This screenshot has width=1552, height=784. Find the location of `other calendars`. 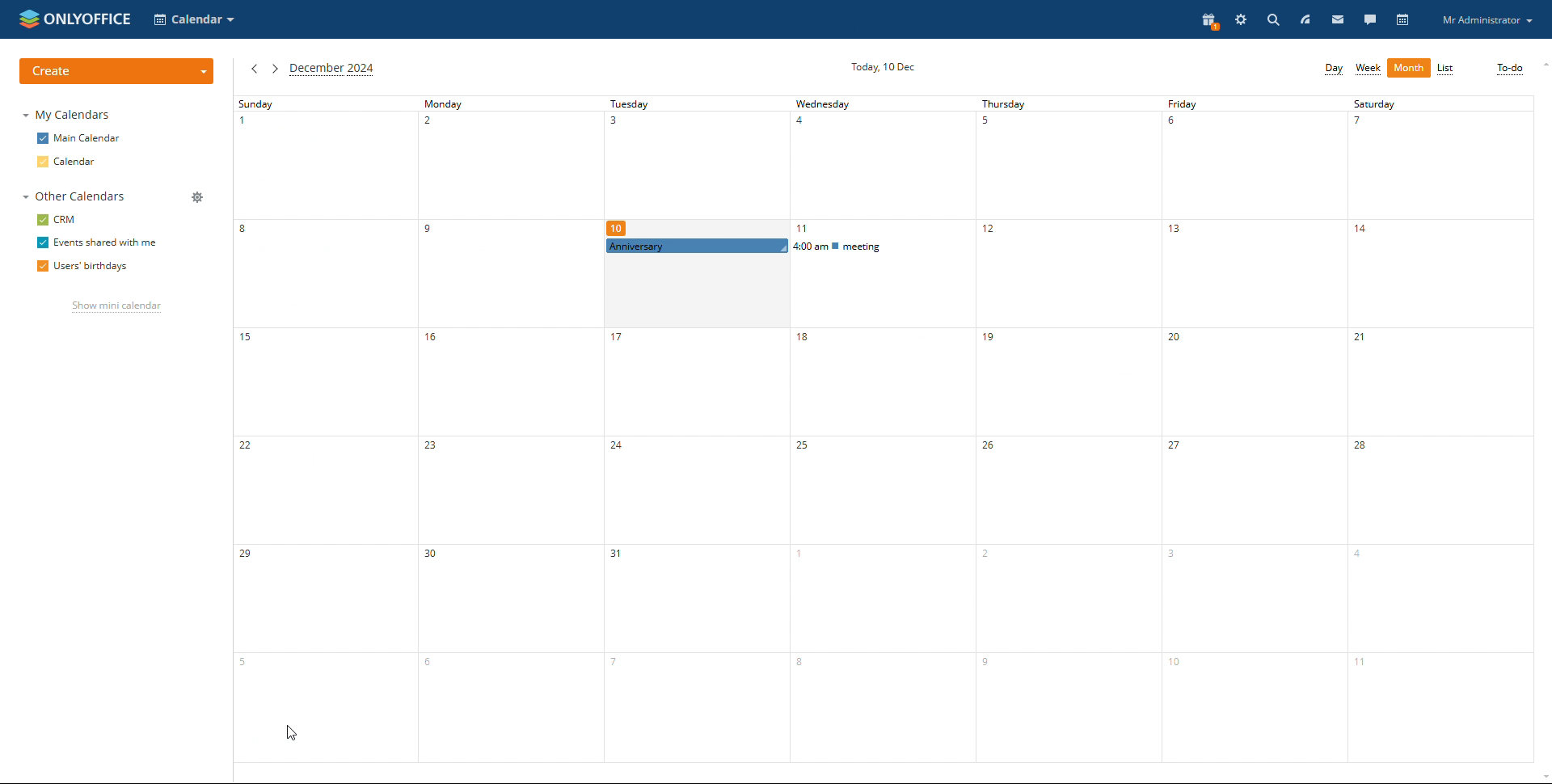

other calendars is located at coordinates (72, 197).